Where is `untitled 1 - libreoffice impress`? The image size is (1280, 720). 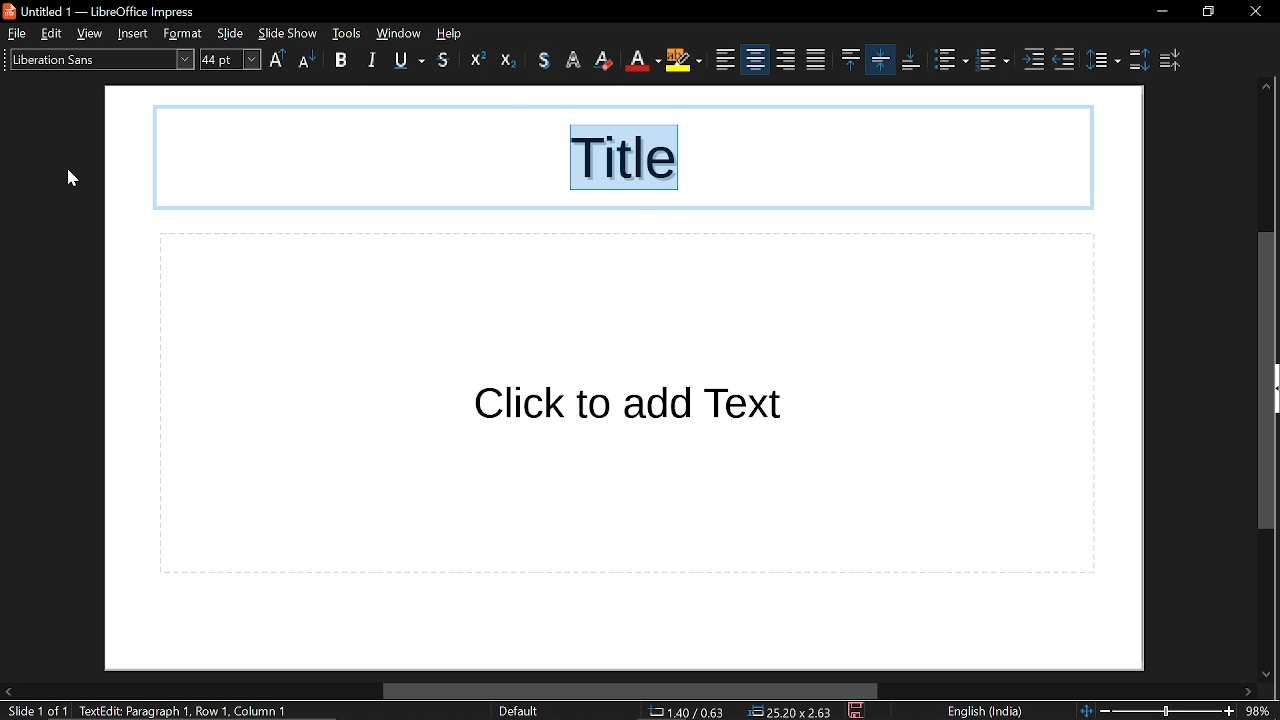 untitled 1 - libreoffice impress is located at coordinates (103, 10).